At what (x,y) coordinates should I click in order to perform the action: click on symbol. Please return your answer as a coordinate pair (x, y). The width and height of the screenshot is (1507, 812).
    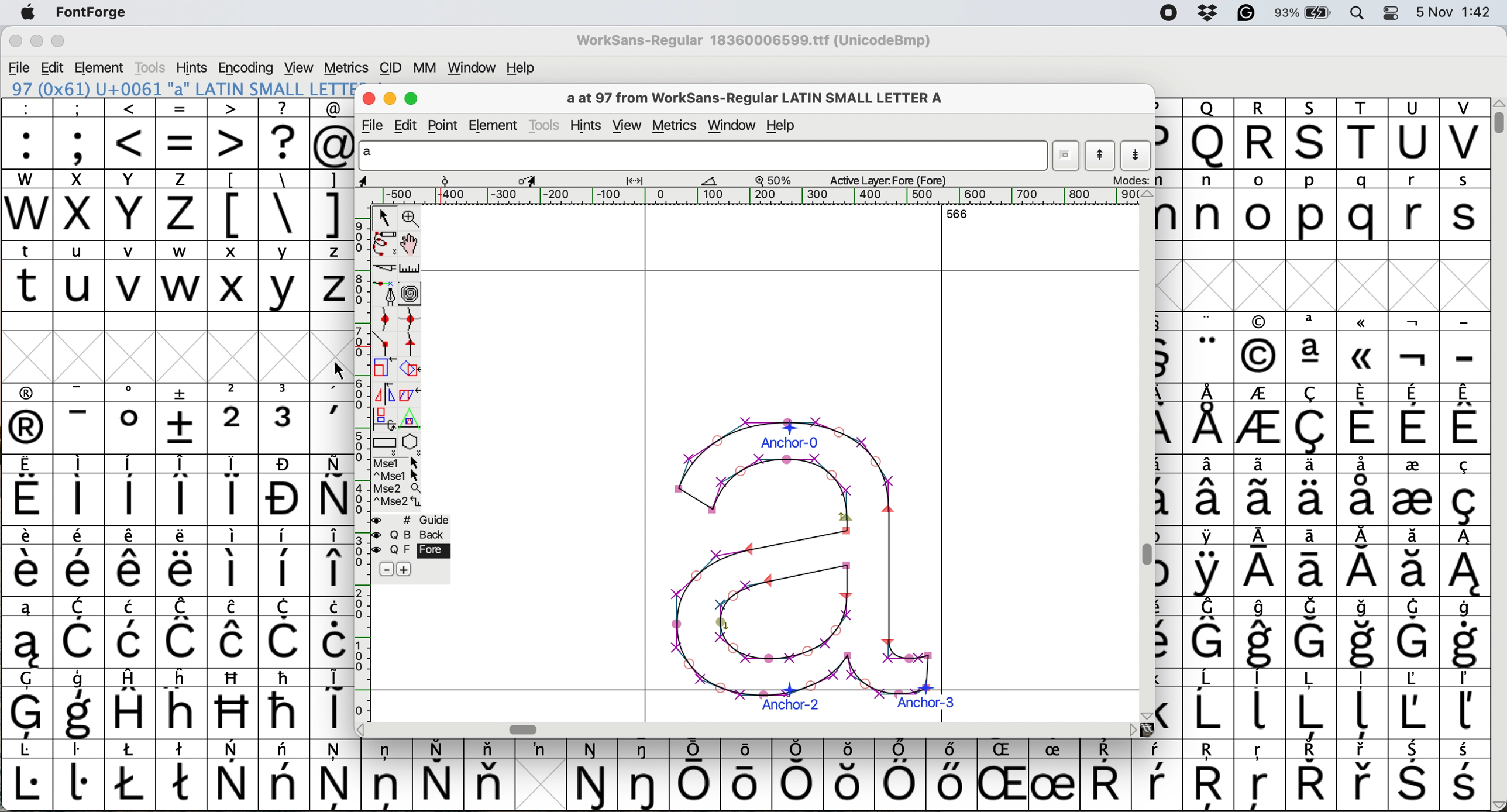
    Looking at the image, I should click on (1210, 419).